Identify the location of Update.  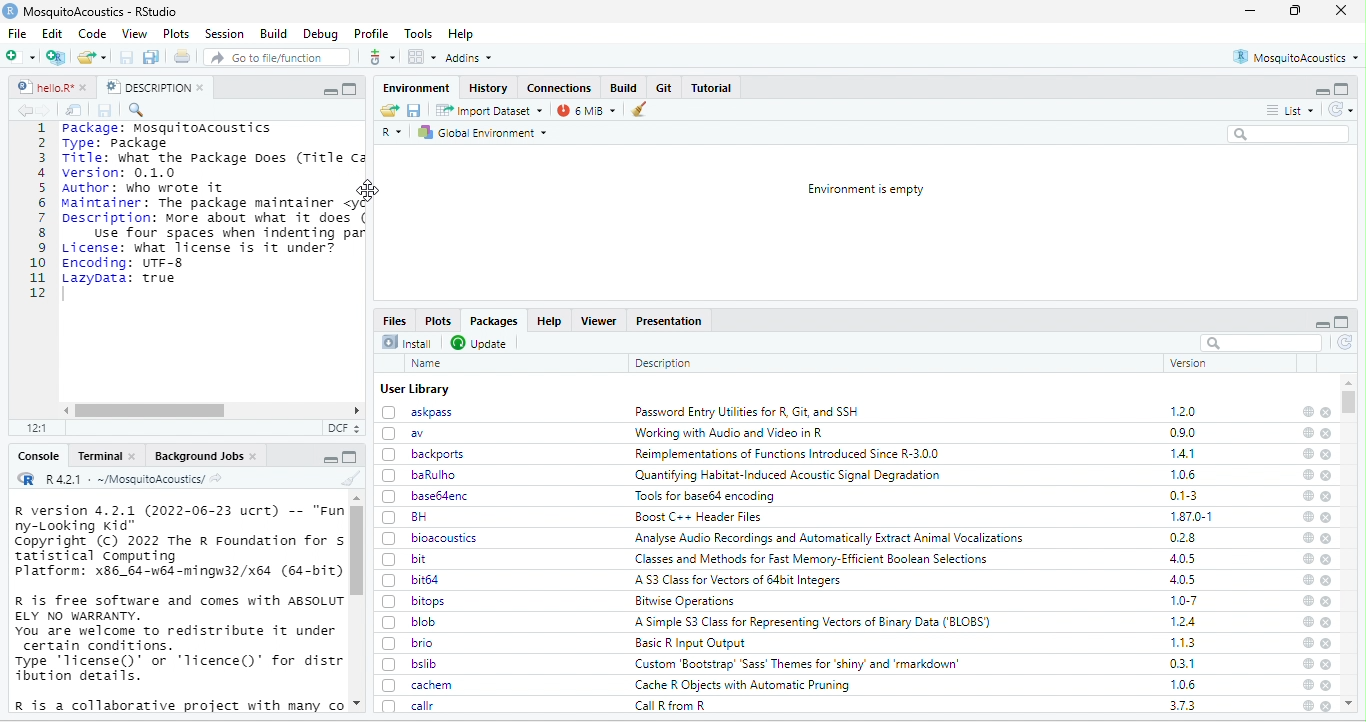
(480, 342).